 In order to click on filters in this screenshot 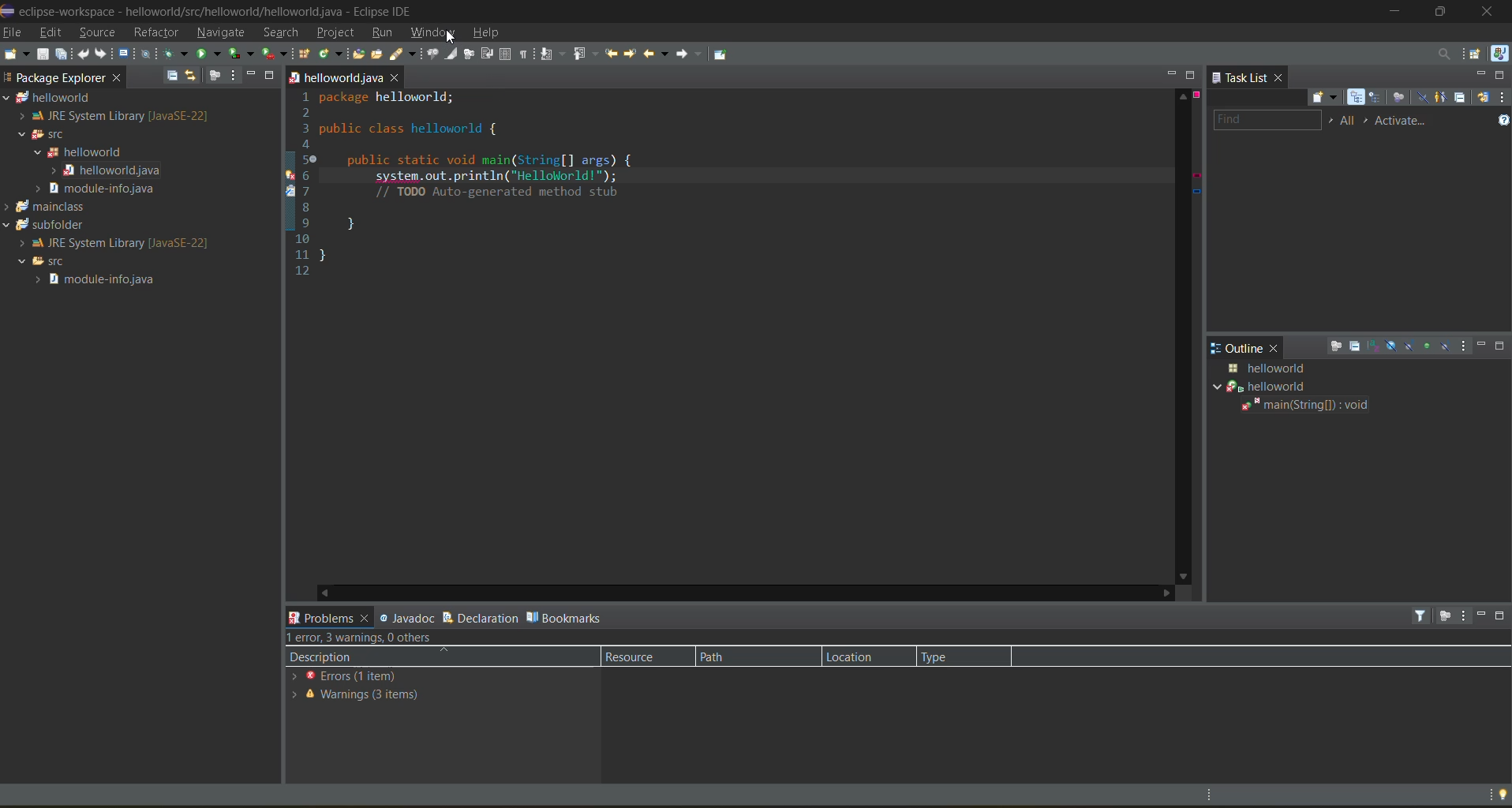, I will do `click(1421, 615)`.